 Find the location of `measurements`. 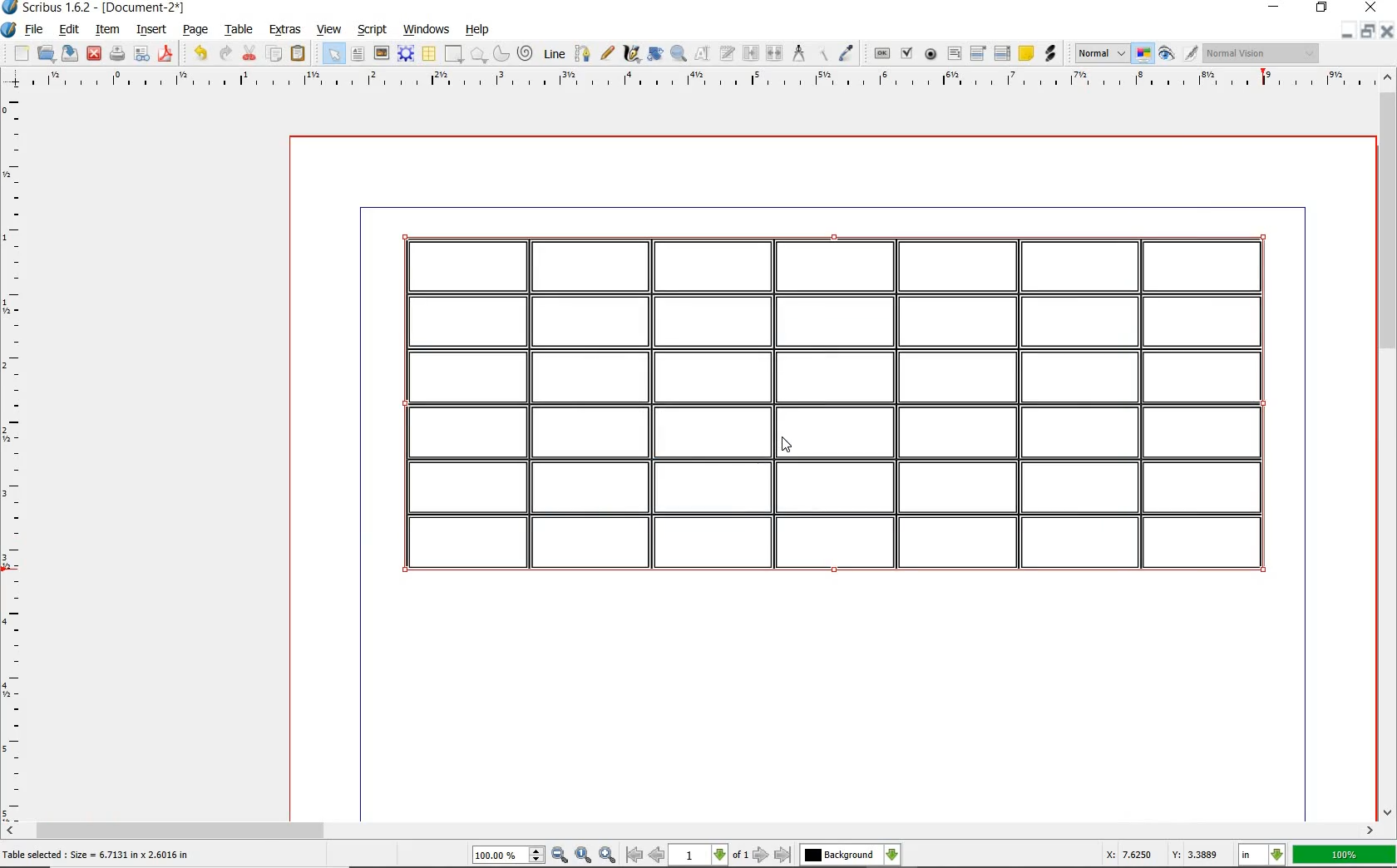

measurements is located at coordinates (799, 54).